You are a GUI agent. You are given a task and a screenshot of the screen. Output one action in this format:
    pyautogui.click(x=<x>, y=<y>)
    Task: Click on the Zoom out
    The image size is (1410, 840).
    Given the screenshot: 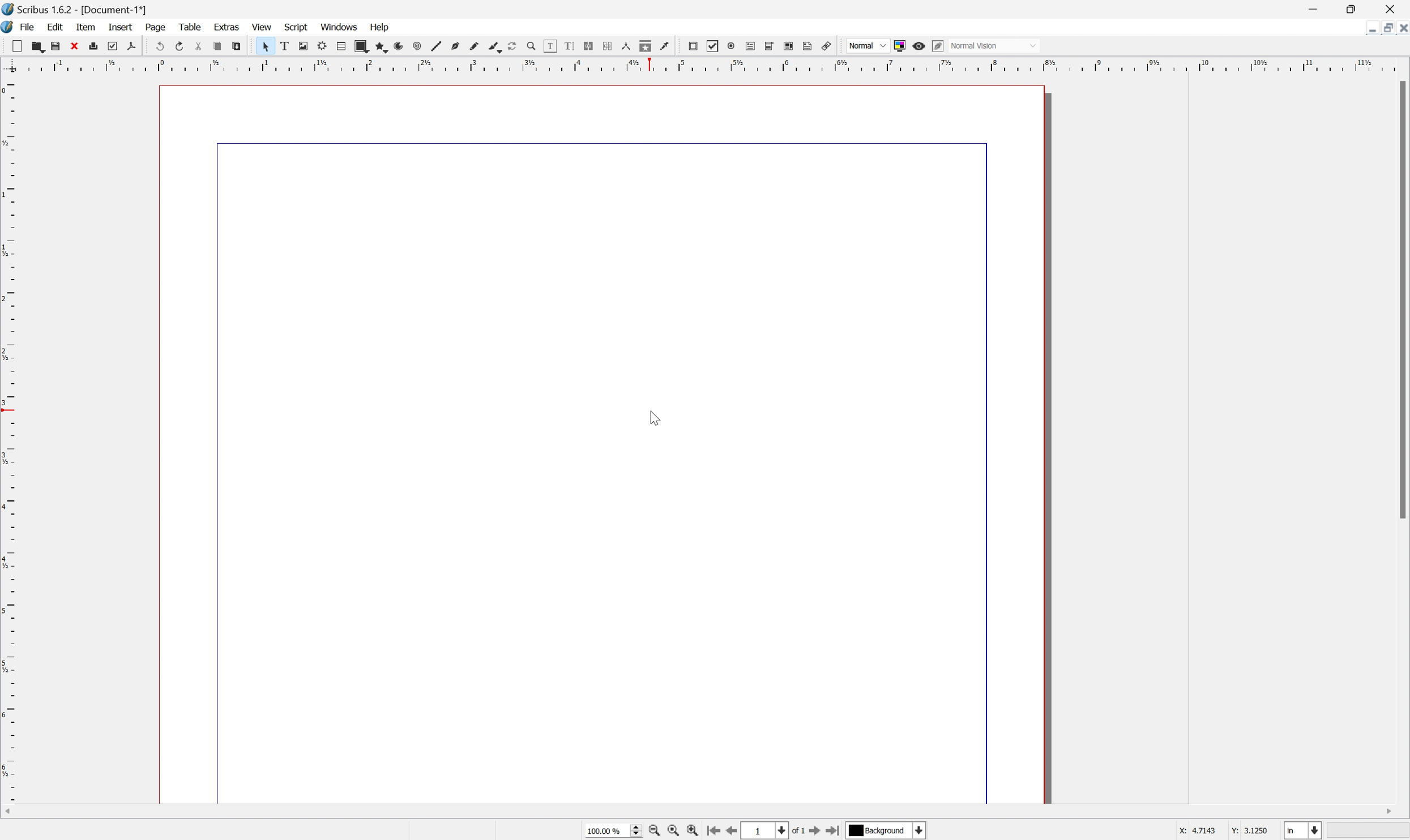 What is the action you would take?
    pyautogui.click(x=651, y=832)
    